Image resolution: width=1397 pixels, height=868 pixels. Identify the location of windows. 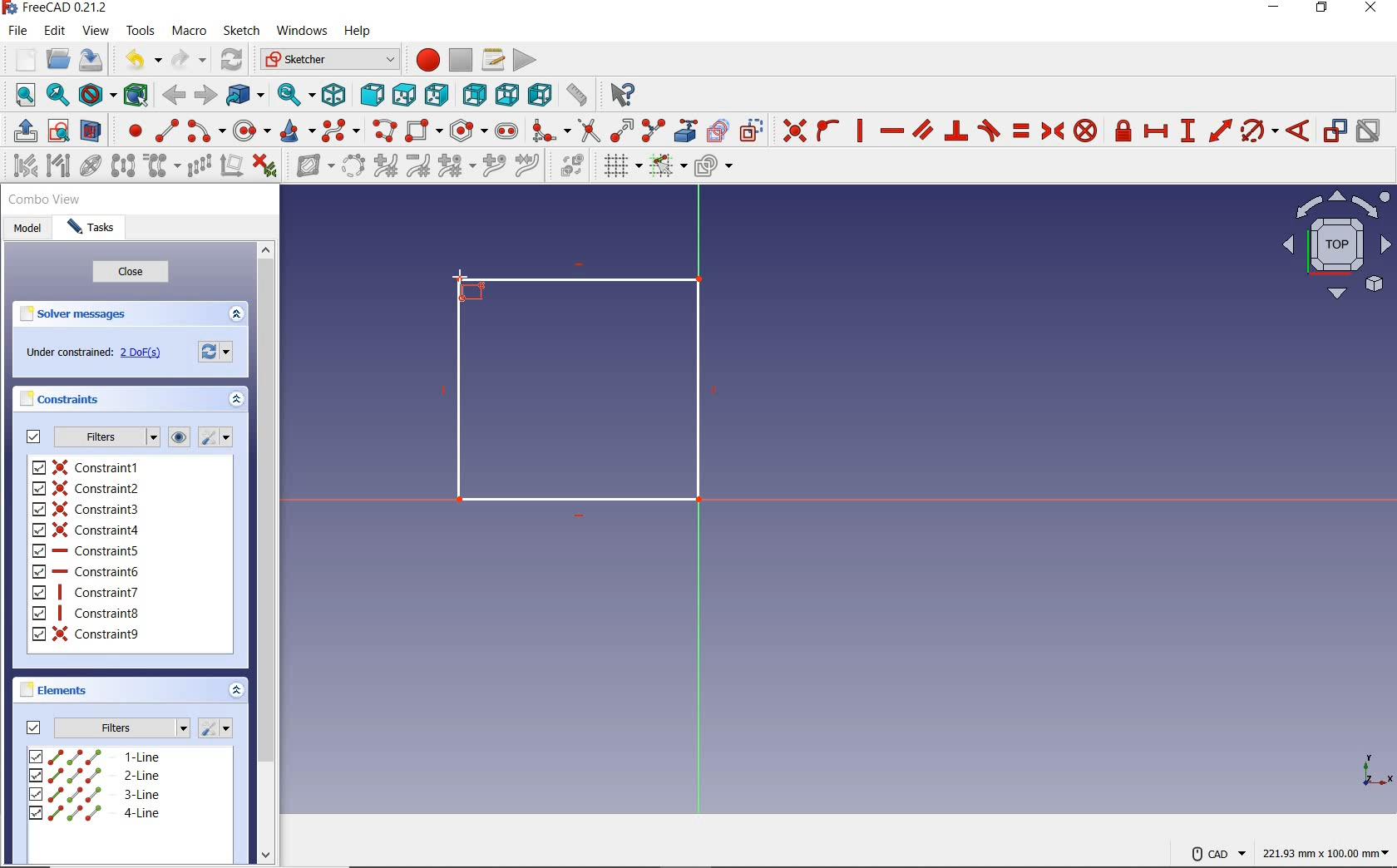
(302, 32).